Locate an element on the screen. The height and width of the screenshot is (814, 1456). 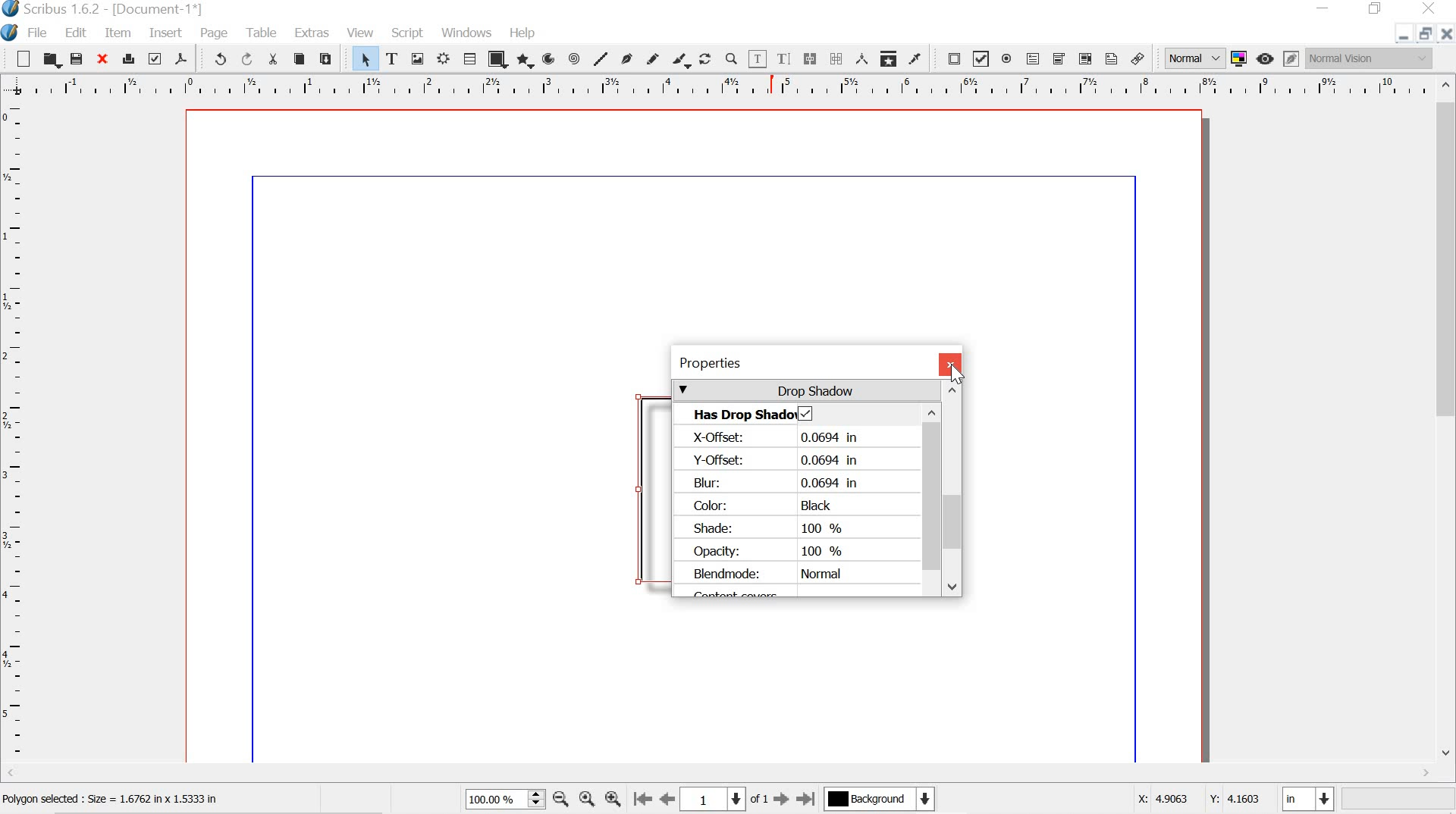
spiral is located at coordinates (575, 58).